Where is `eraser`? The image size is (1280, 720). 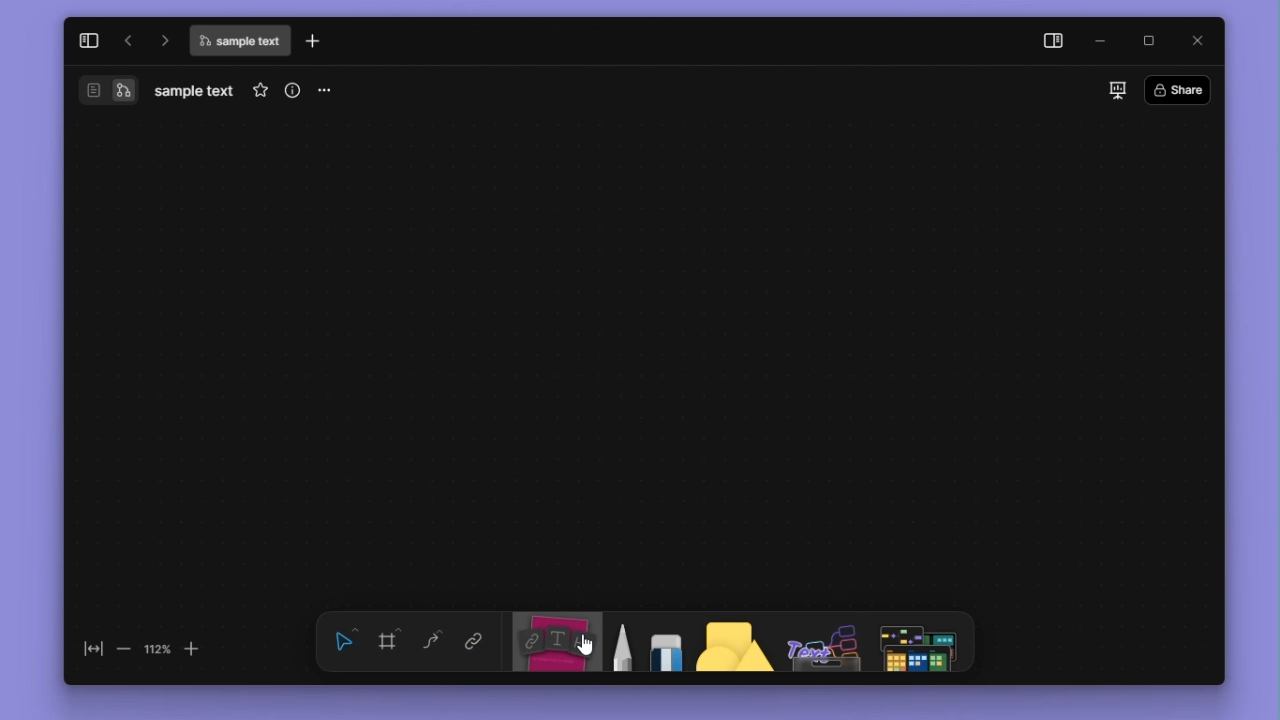
eraser is located at coordinates (666, 642).